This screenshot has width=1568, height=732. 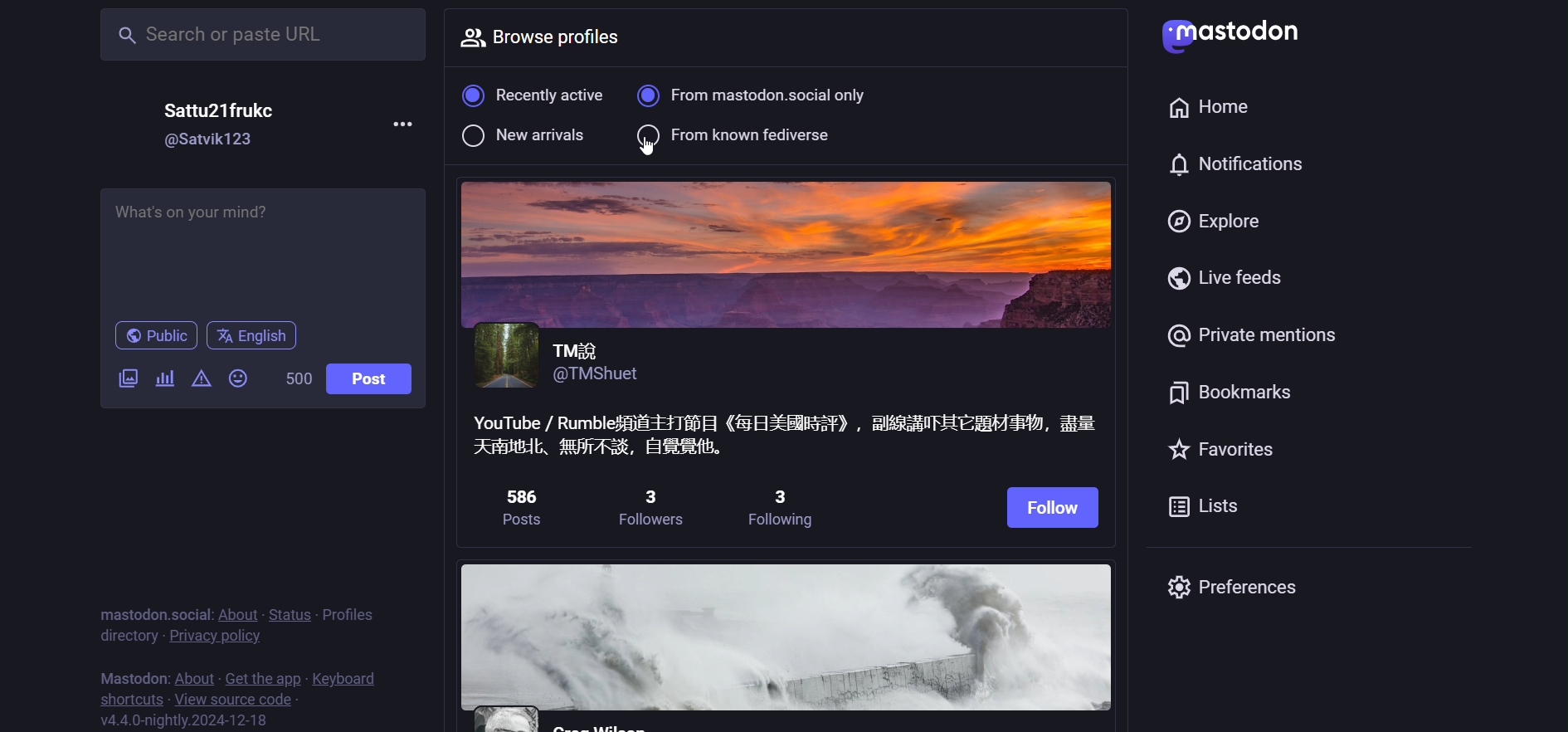 I want to click on TMZ, so click(x=580, y=347).